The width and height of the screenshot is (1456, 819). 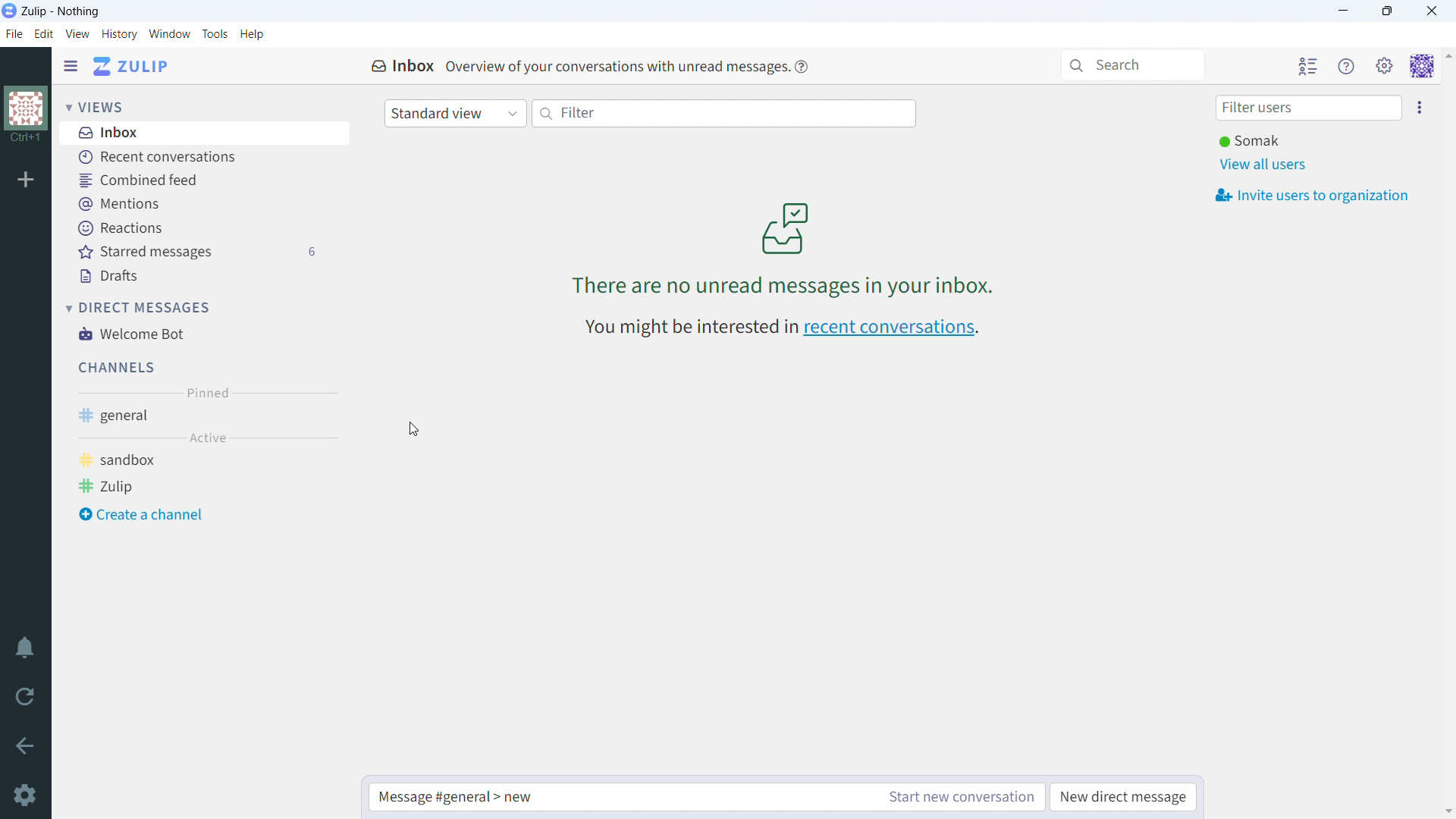 What do you see at coordinates (1447, 55) in the screenshot?
I see `scroll up` at bounding box center [1447, 55].